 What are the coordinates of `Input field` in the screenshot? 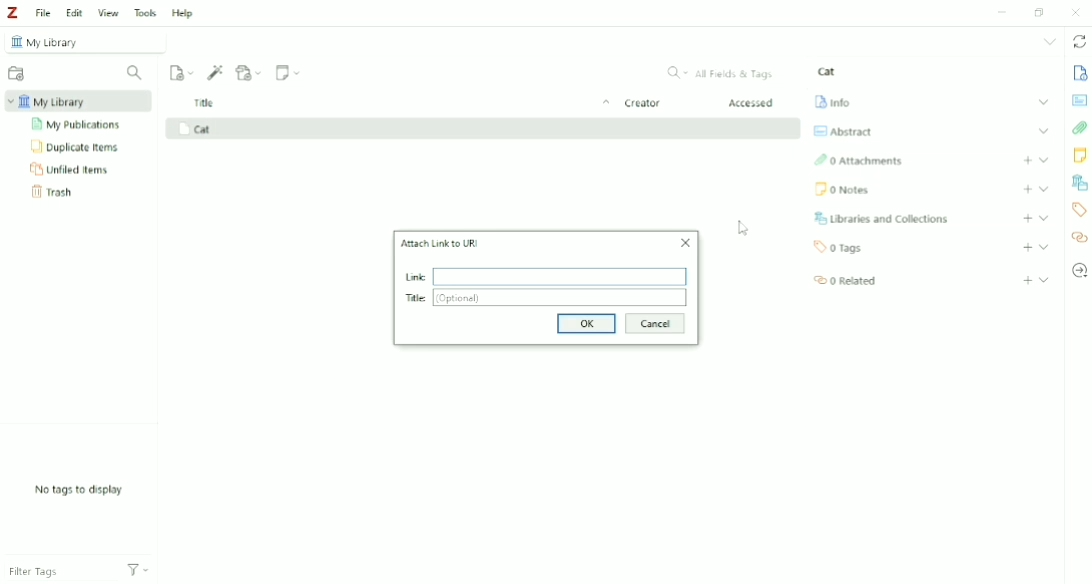 It's located at (560, 299).